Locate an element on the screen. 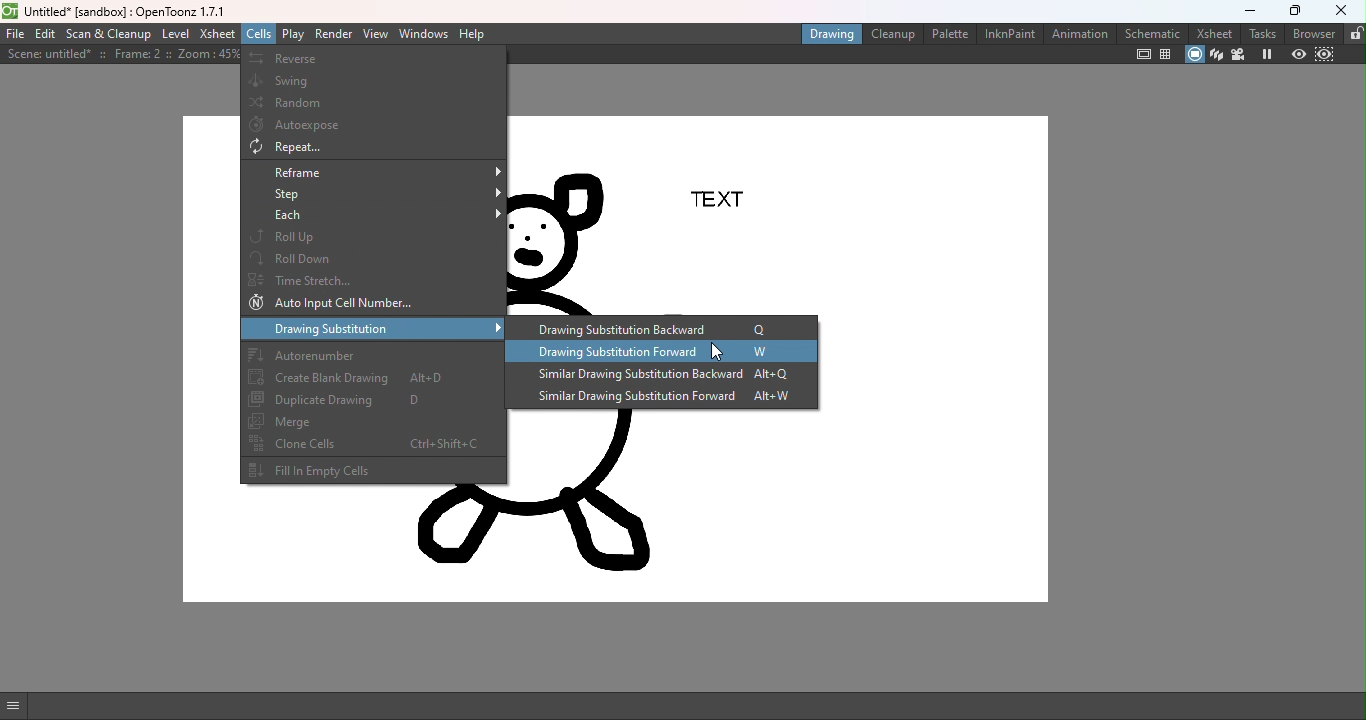  Sub-camera preview is located at coordinates (1325, 55).